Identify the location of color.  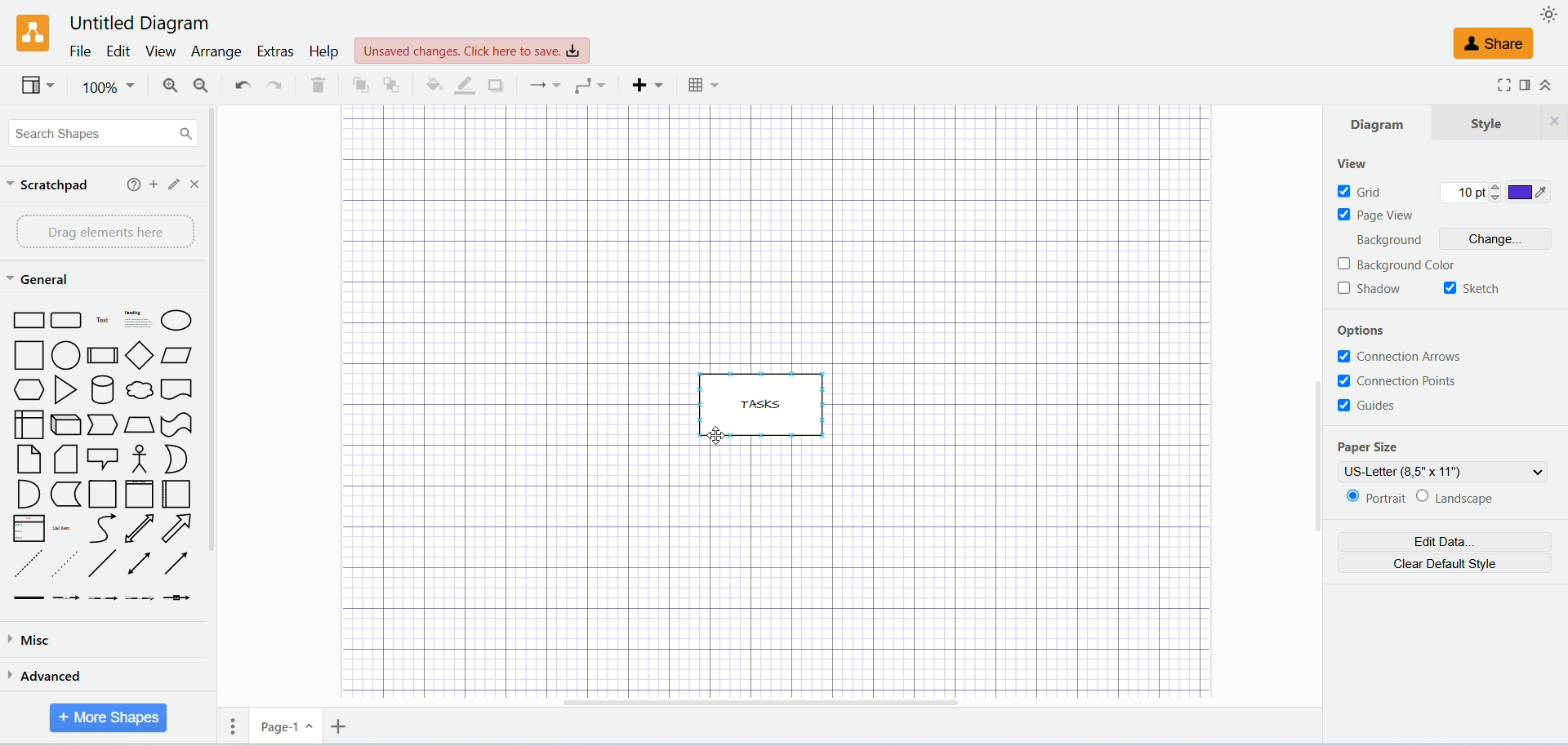
(1539, 193).